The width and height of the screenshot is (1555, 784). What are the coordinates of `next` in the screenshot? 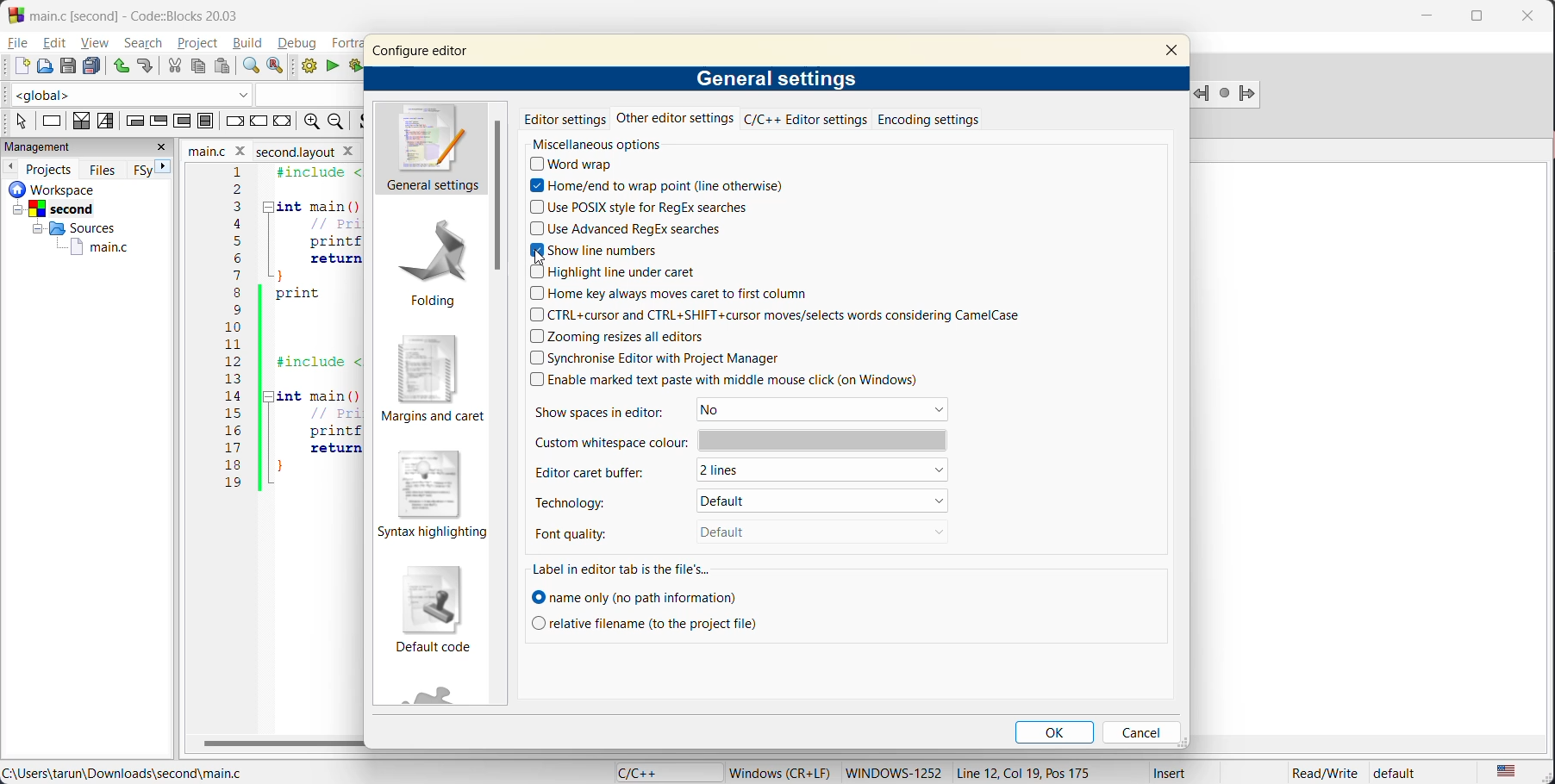 It's located at (164, 167).